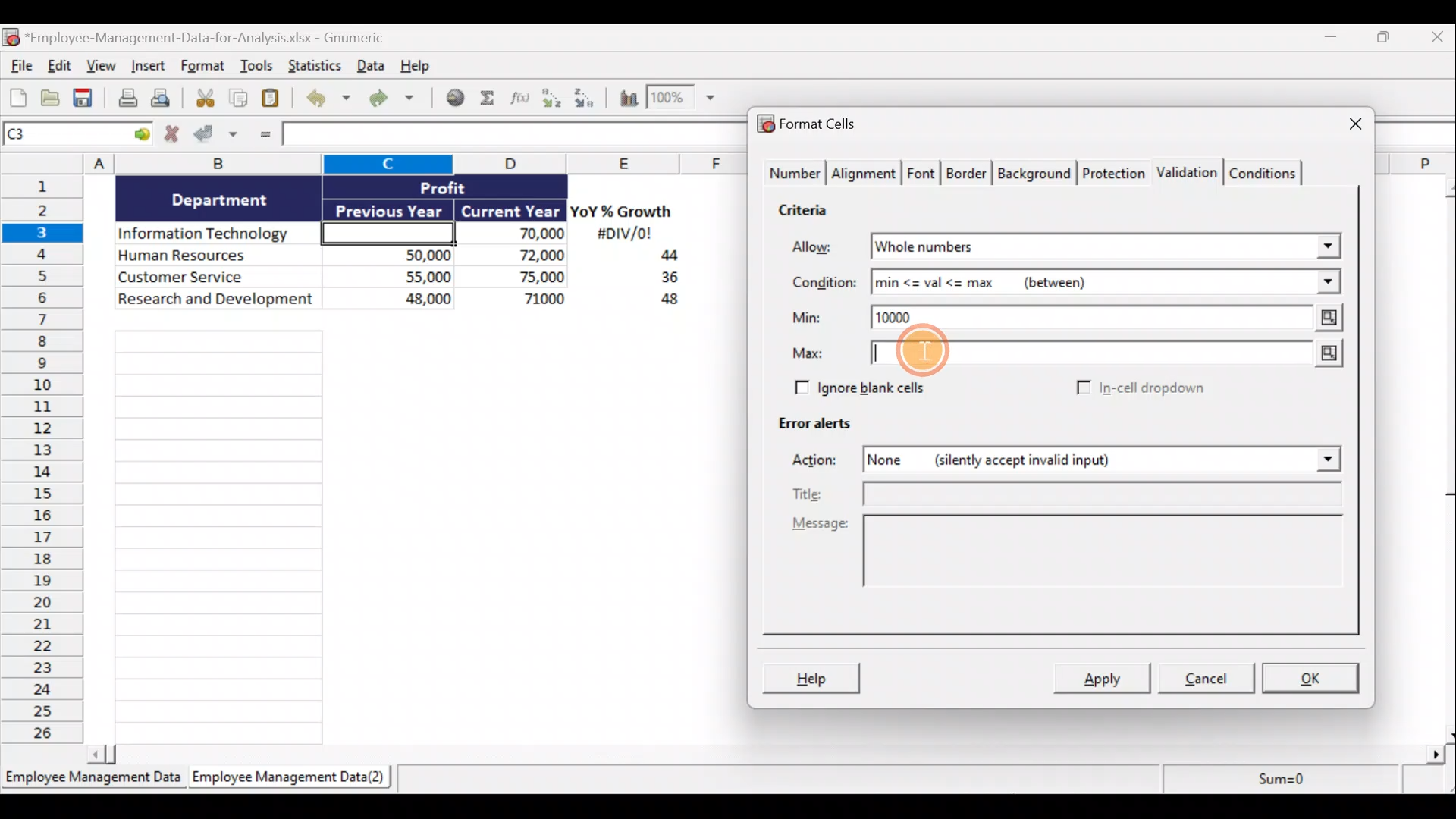 The height and width of the screenshot is (819, 1456). Describe the element at coordinates (1275, 783) in the screenshot. I see `Sum=0` at that location.